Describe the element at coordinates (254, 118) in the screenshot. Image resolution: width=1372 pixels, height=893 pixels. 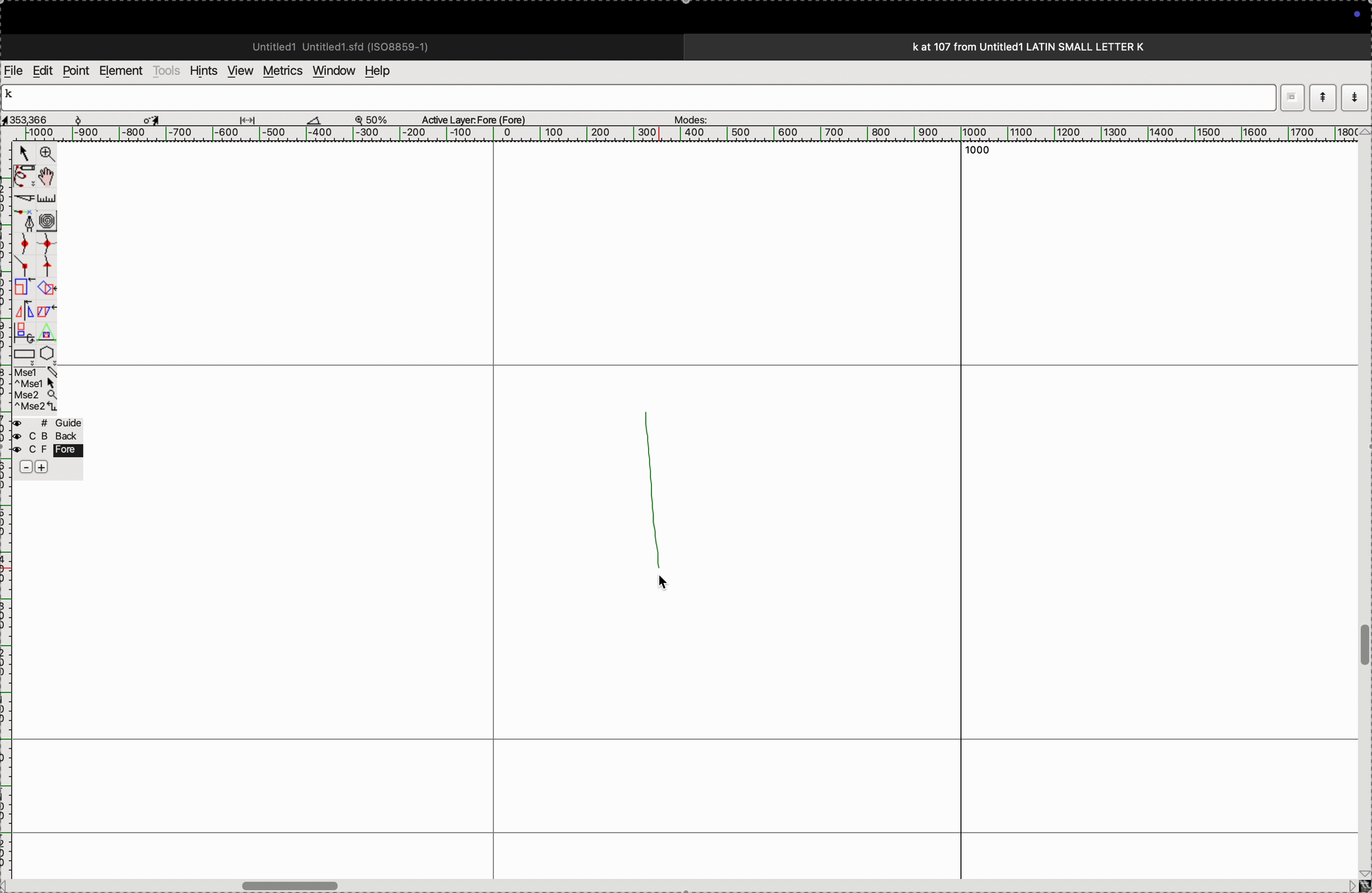
I see `drang` at that location.